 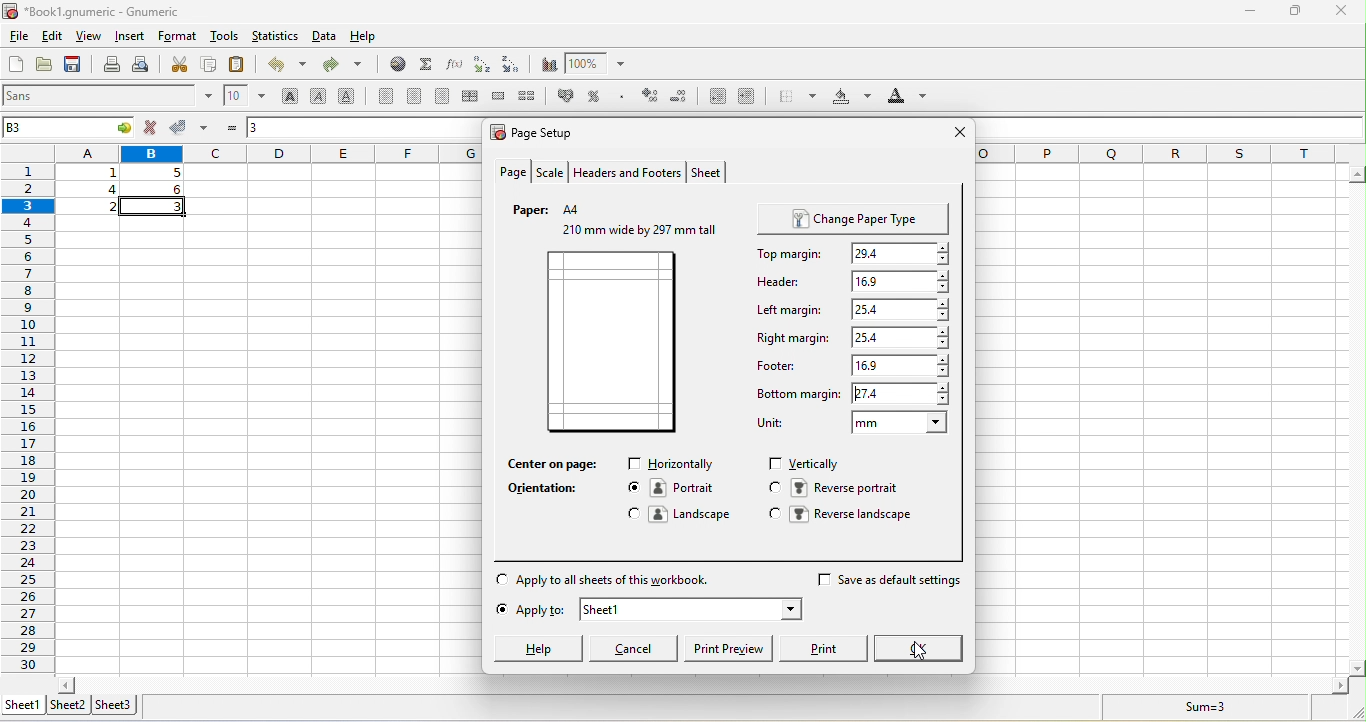 What do you see at coordinates (786, 254) in the screenshot?
I see `top mergine` at bounding box center [786, 254].